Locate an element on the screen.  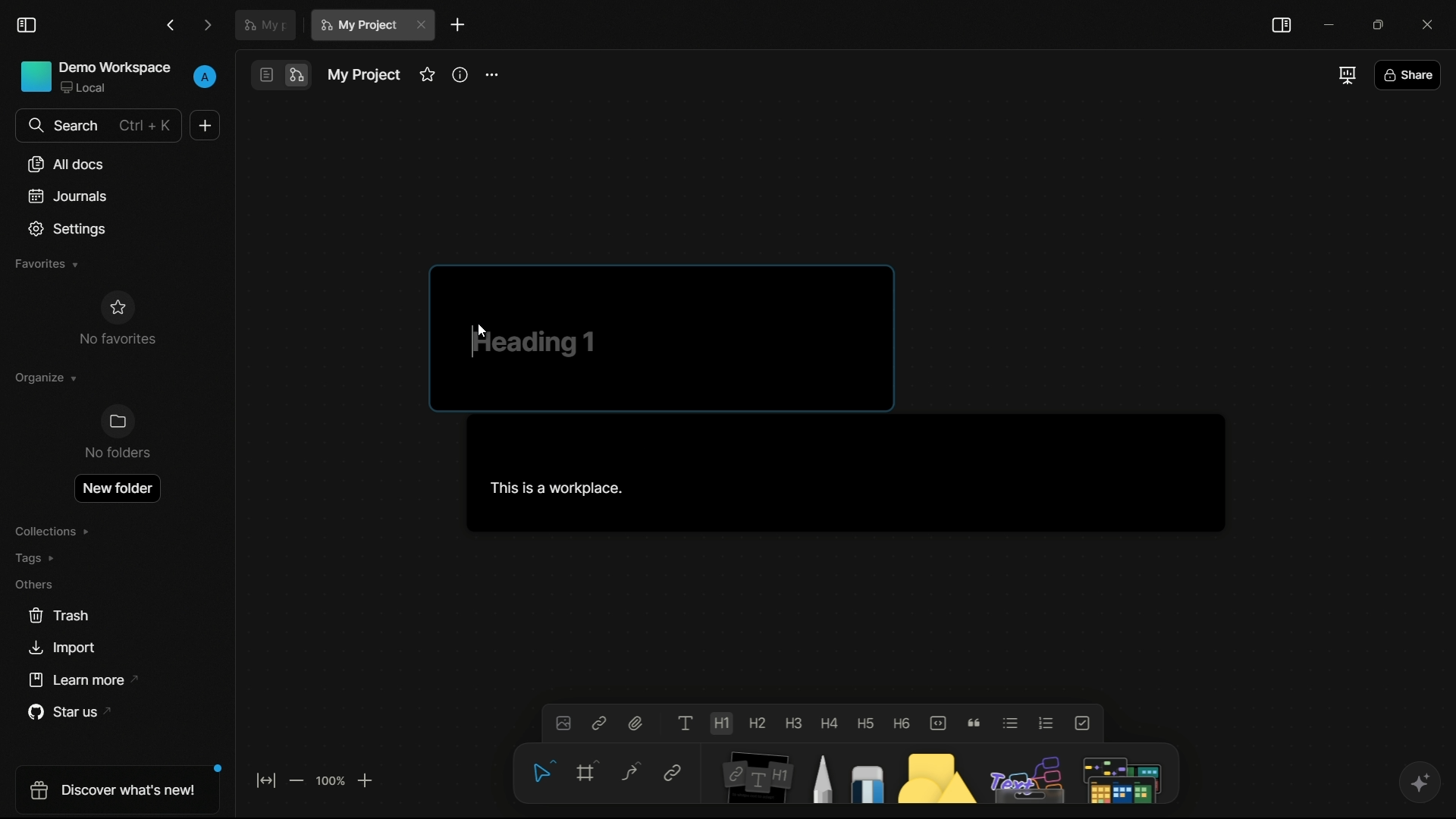
toggle sidebar is located at coordinates (1282, 26).